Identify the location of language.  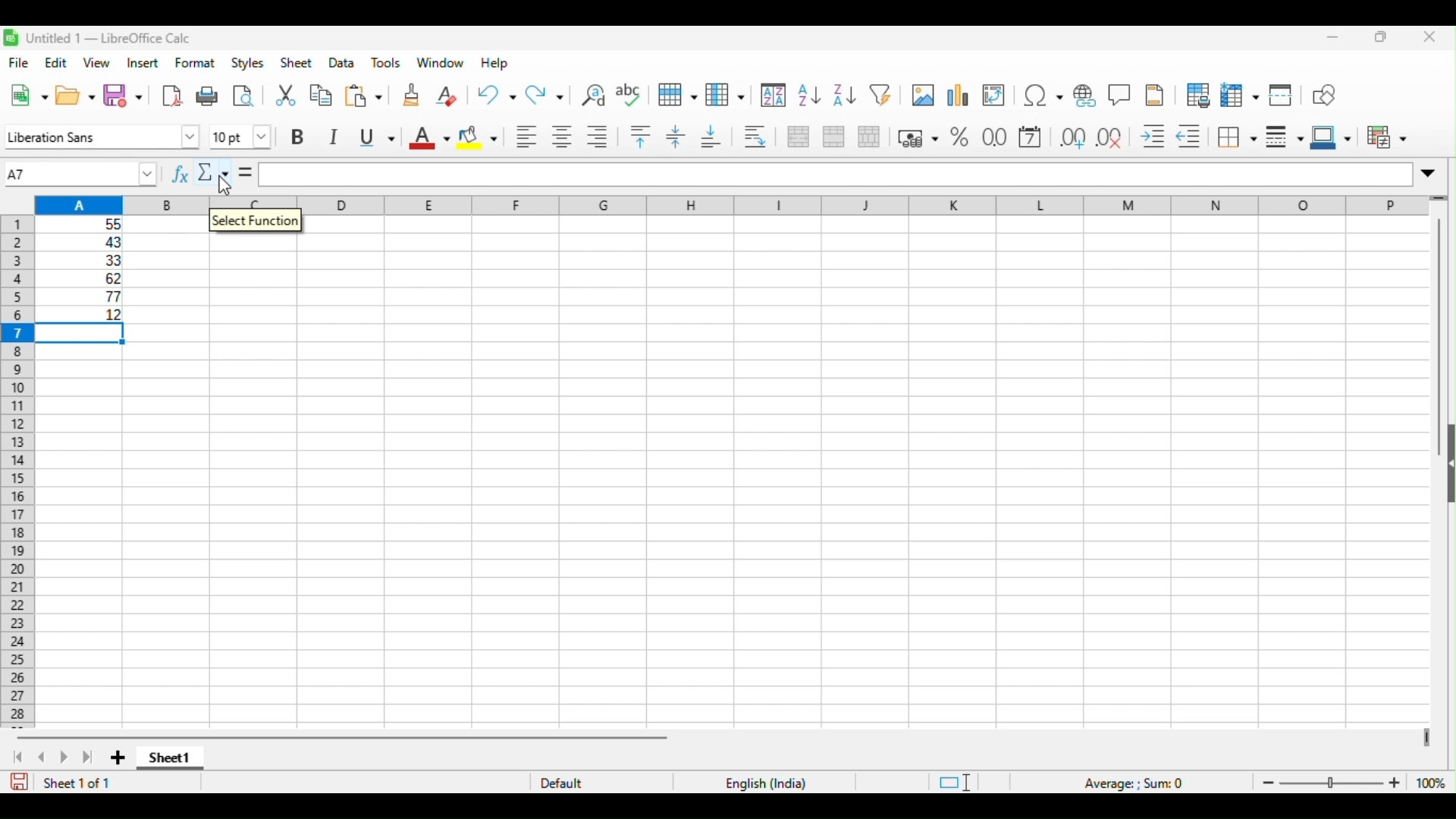
(764, 782).